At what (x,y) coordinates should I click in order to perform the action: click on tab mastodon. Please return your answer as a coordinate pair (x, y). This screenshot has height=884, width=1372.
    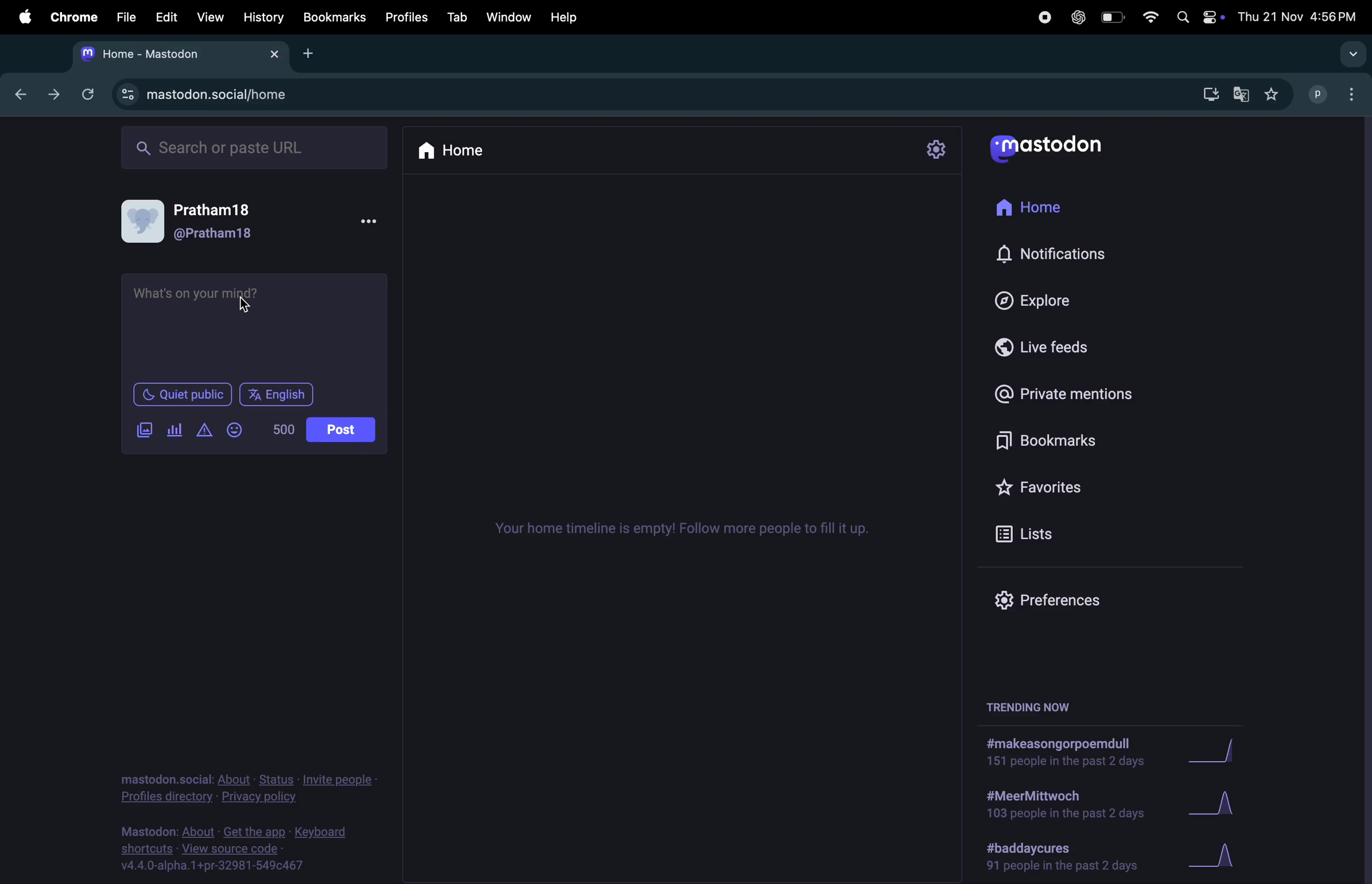
    Looking at the image, I should click on (180, 55).